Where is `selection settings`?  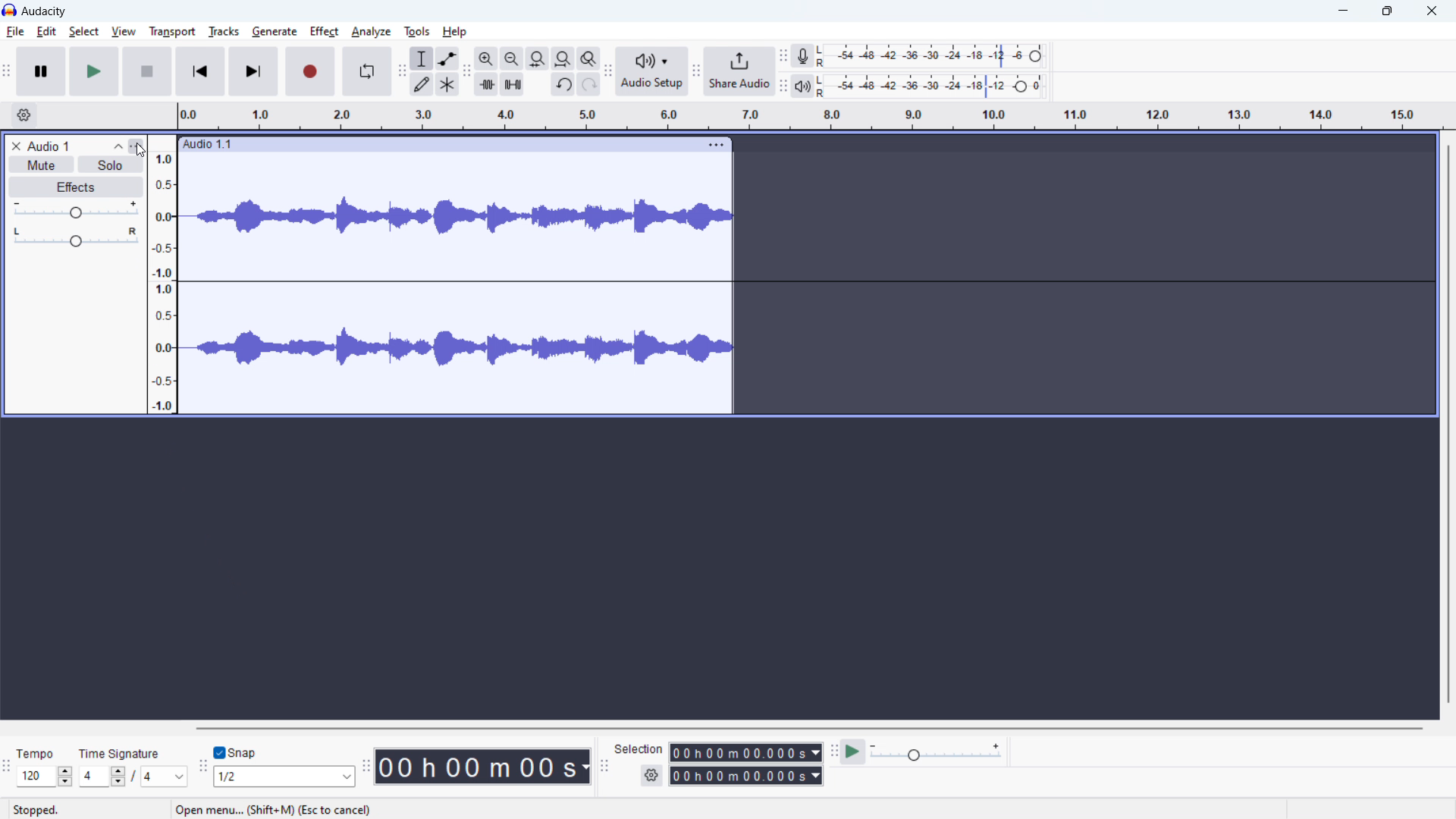
selection settings is located at coordinates (653, 776).